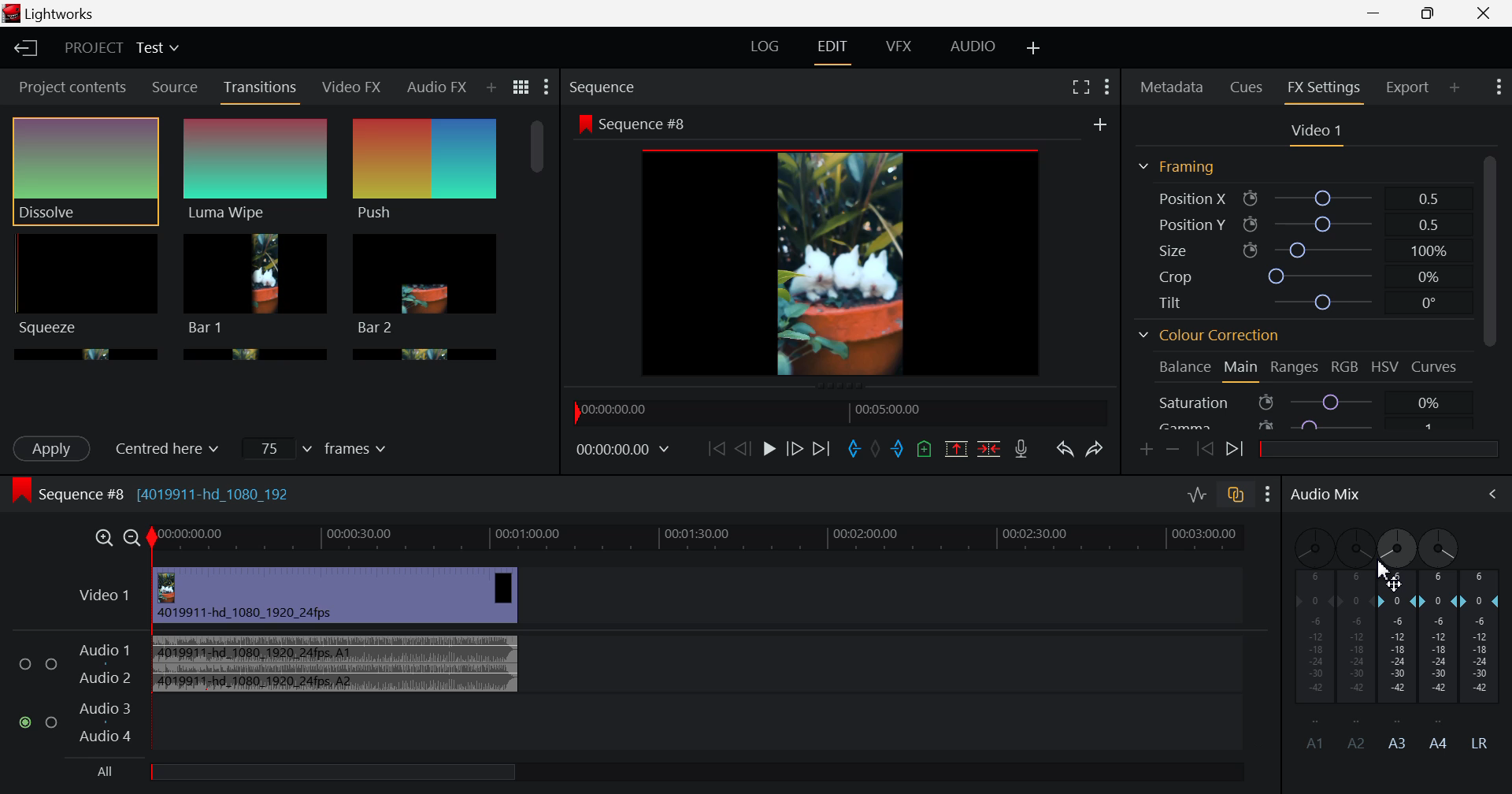  Describe the element at coordinates (831, 50) in the screenshot. I see `EDIT Layout Open` at that location.